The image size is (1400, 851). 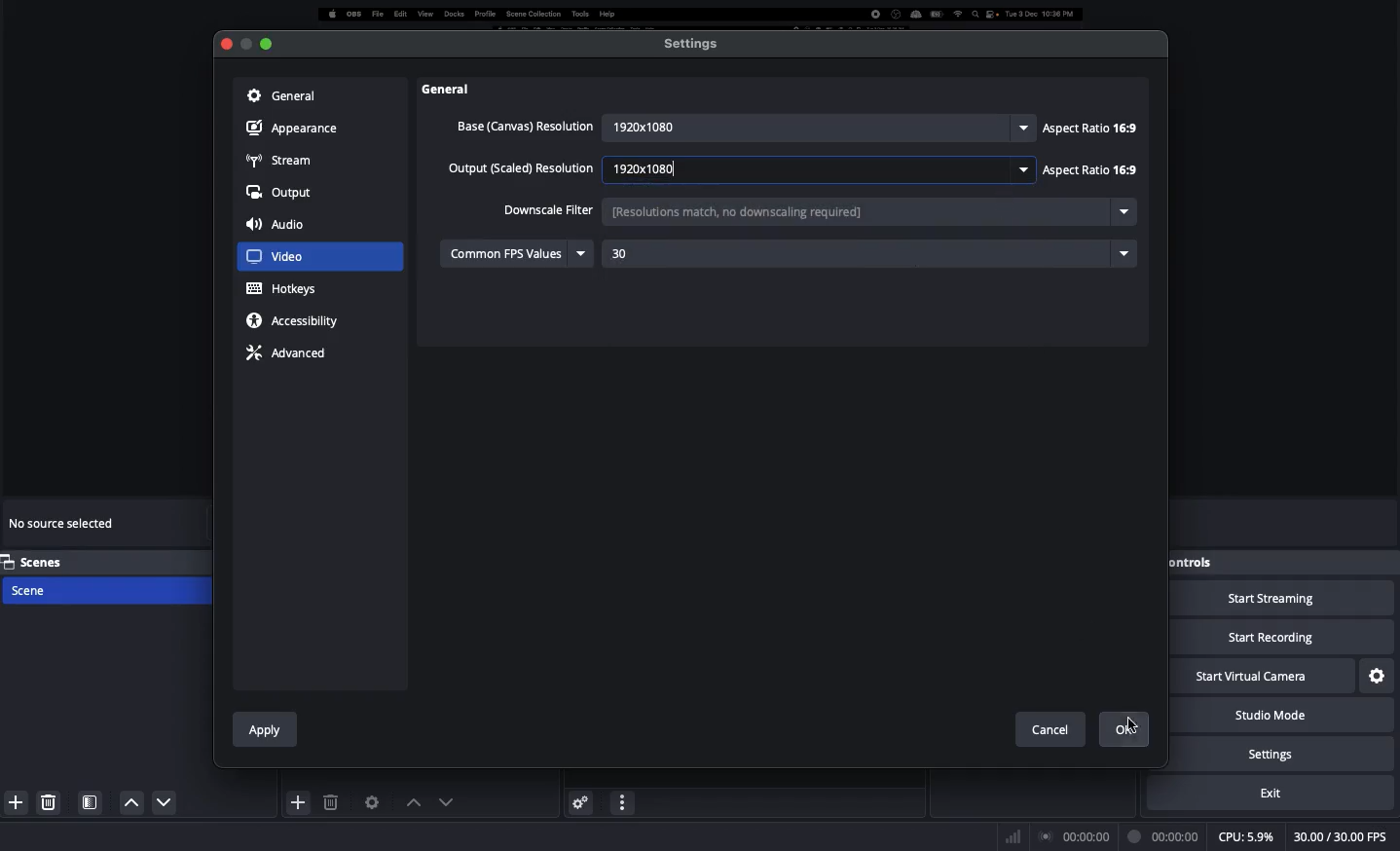 What do you see at coordinates (1137, 719) in the screenshot?
I see `Cursor` at bounding box center [1137, 719].